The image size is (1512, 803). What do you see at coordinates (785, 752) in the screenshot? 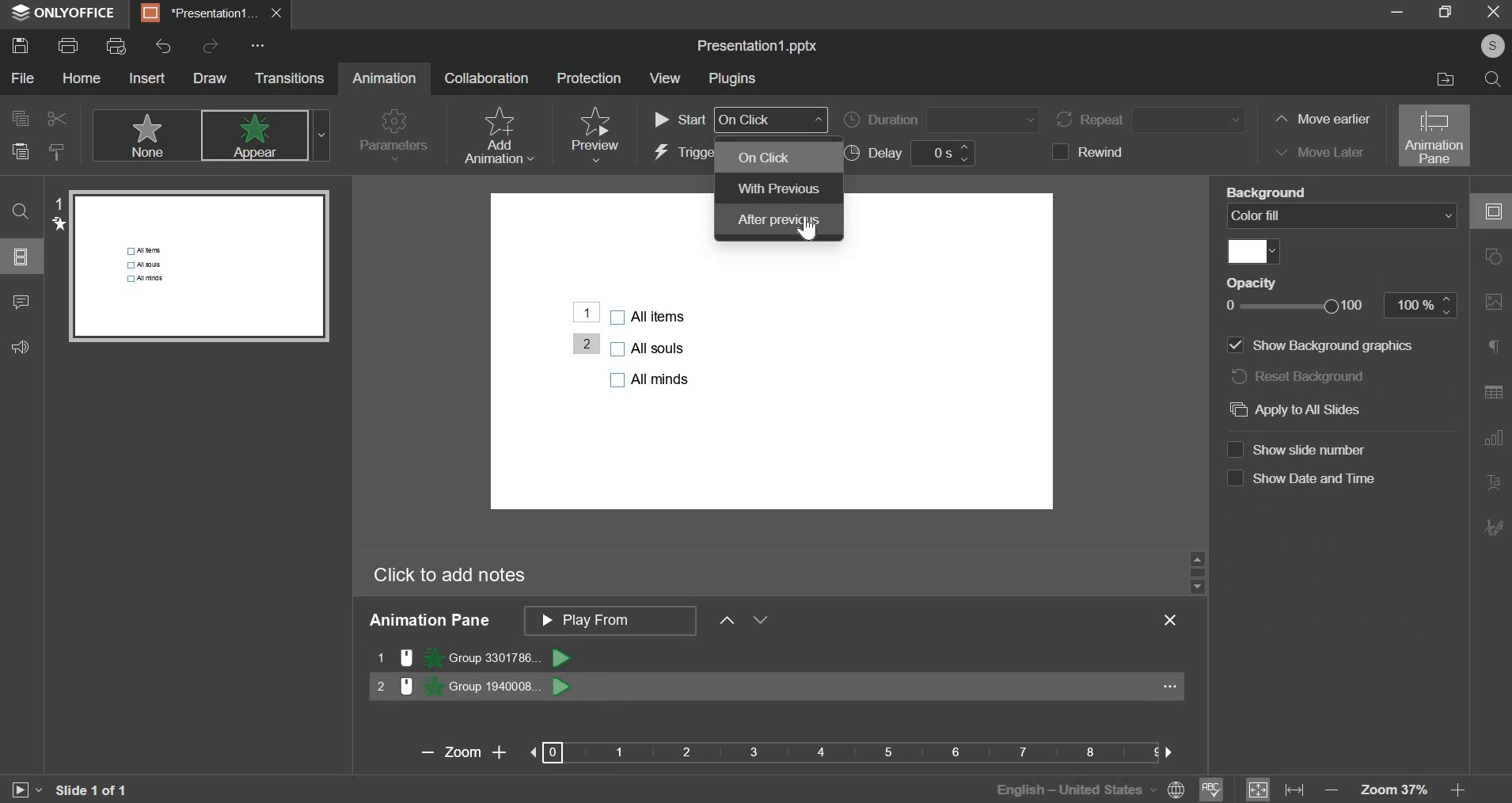
I see `zoom` at bounding box center [785, 752].